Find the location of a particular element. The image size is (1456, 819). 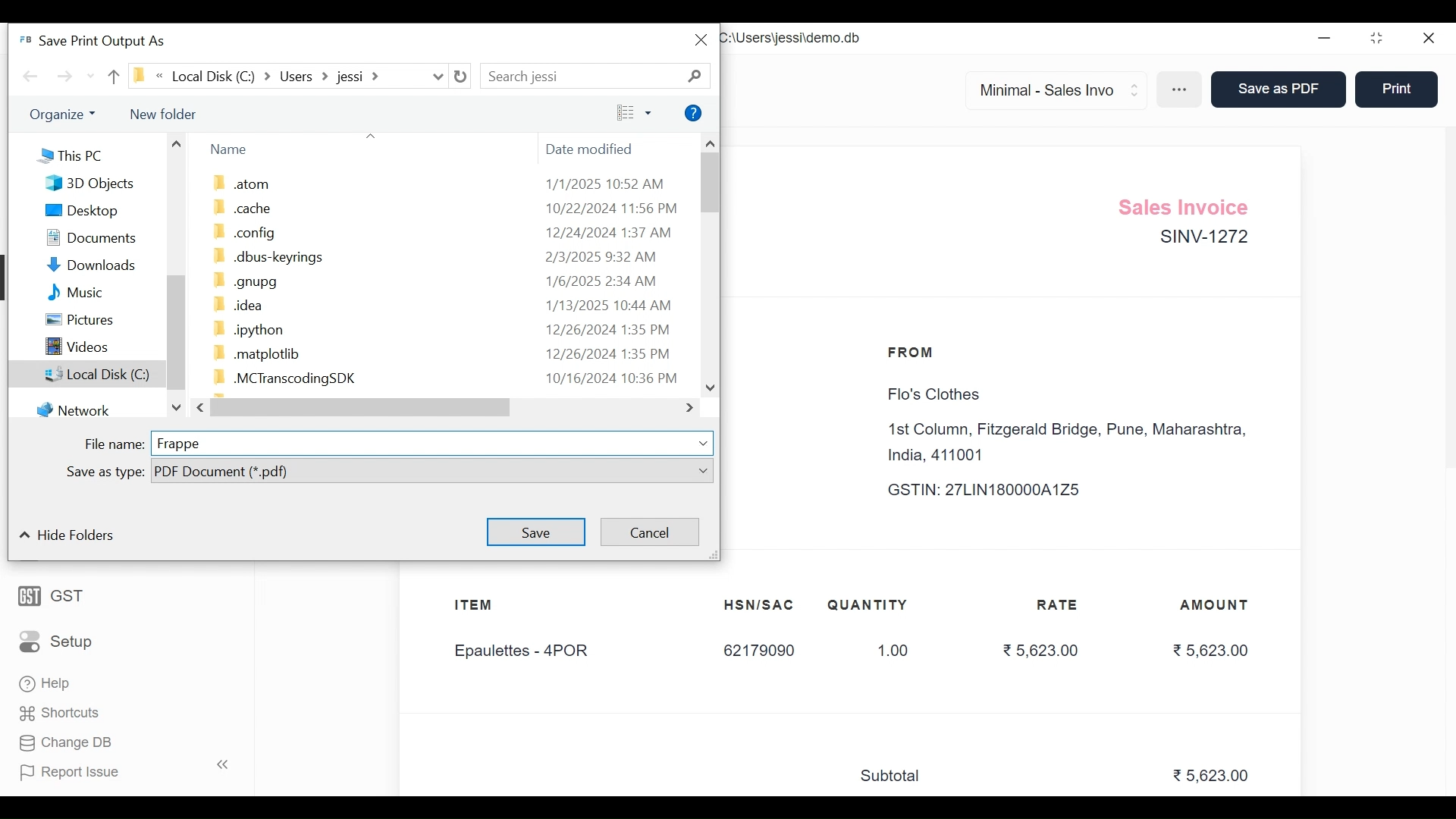

RATE is located at coordinates (1062, 605).